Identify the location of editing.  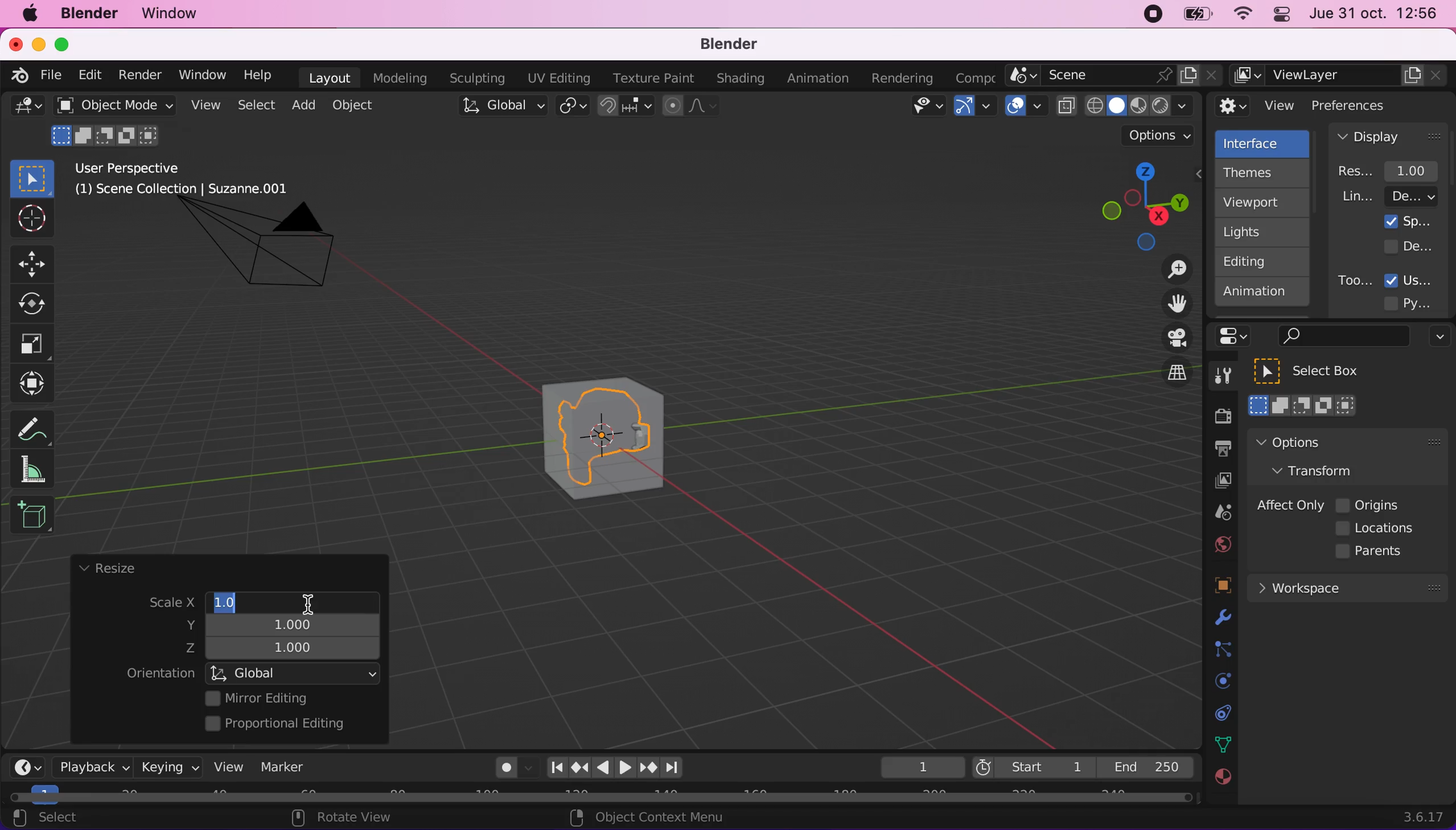
(1257, 261).